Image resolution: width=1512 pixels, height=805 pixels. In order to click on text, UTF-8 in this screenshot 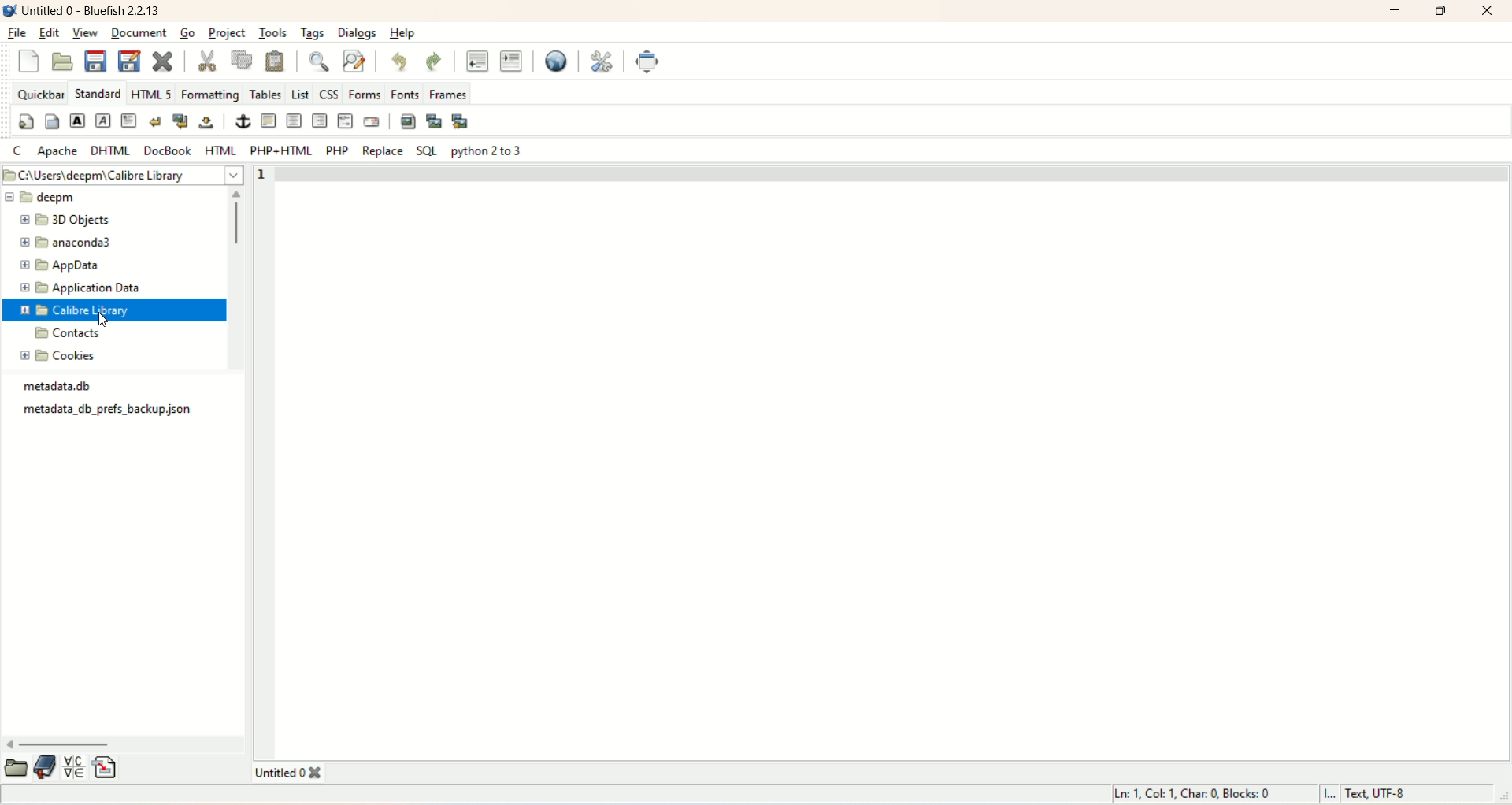, I will do `click(1401, 794)`.